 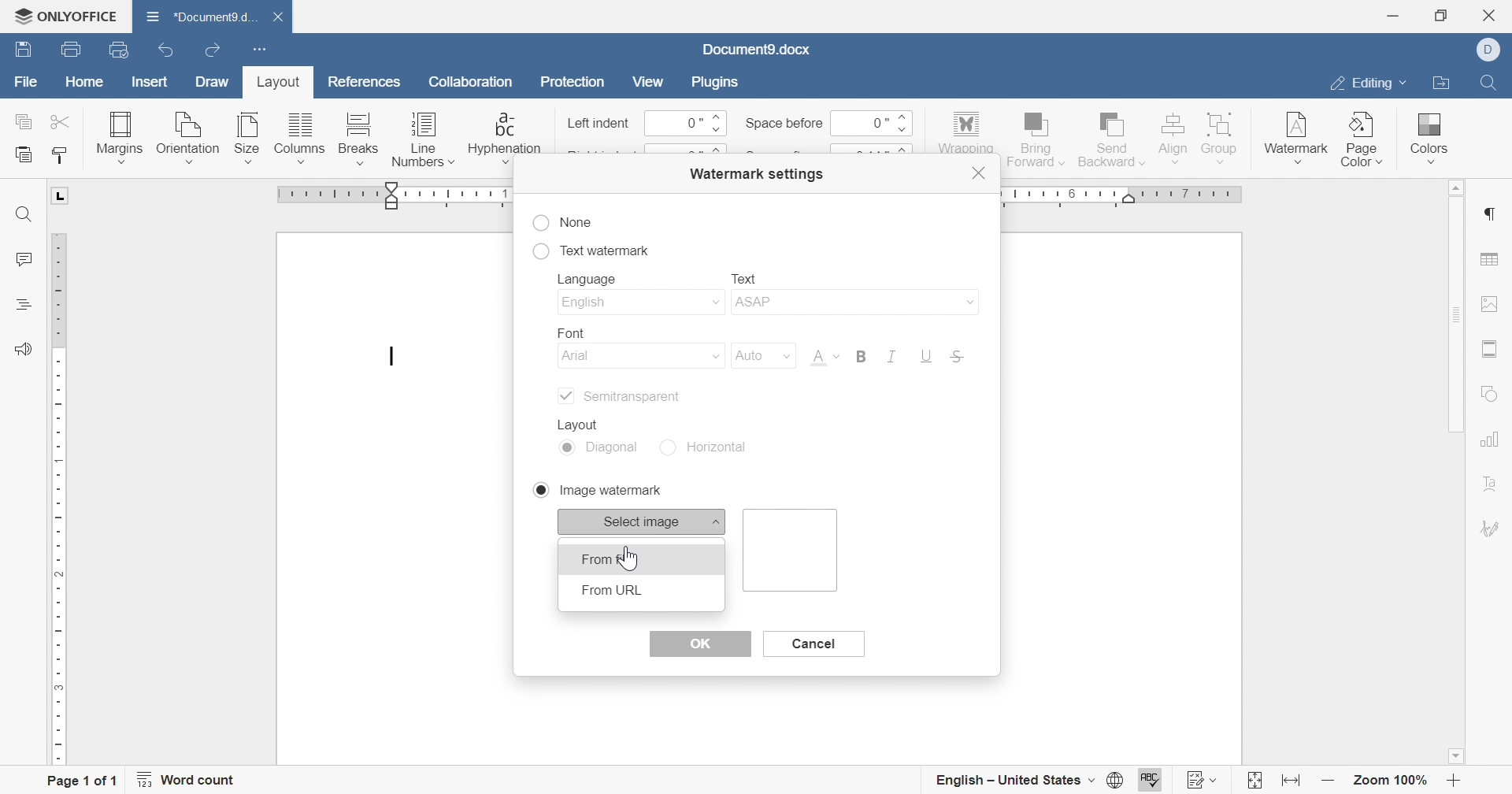 I want to click on OK, so click(x=699, y=644).